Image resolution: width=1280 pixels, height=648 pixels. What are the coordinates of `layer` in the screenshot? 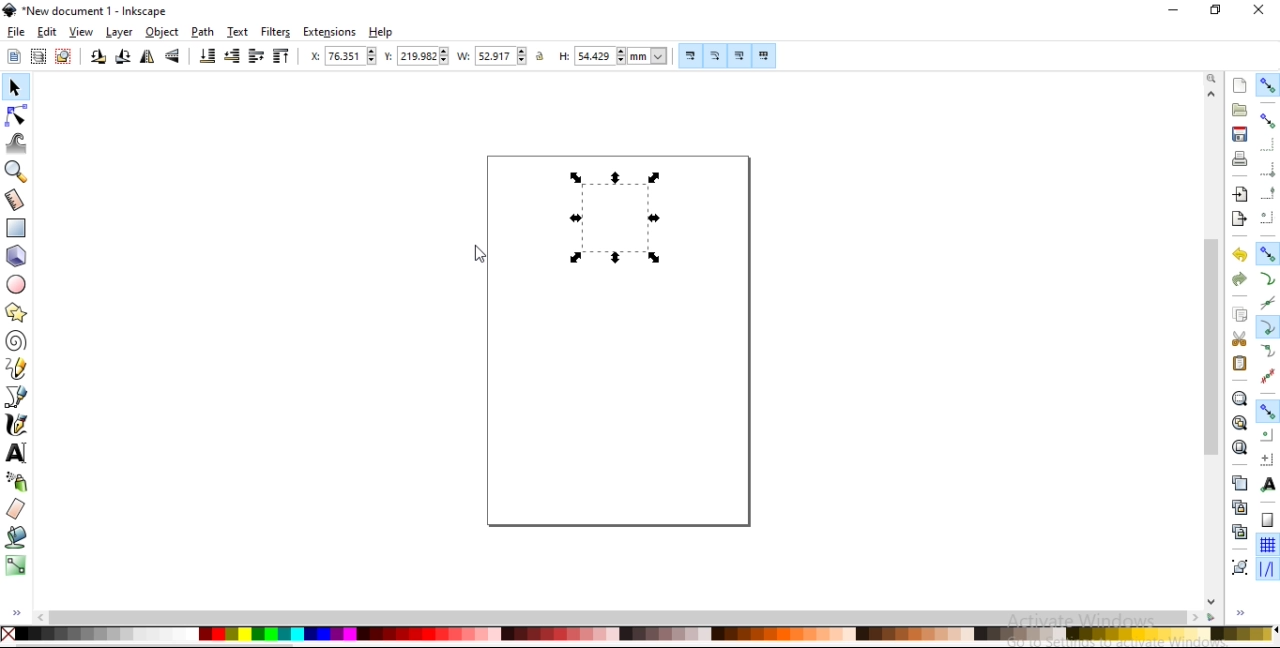 It's located at (118, 33).